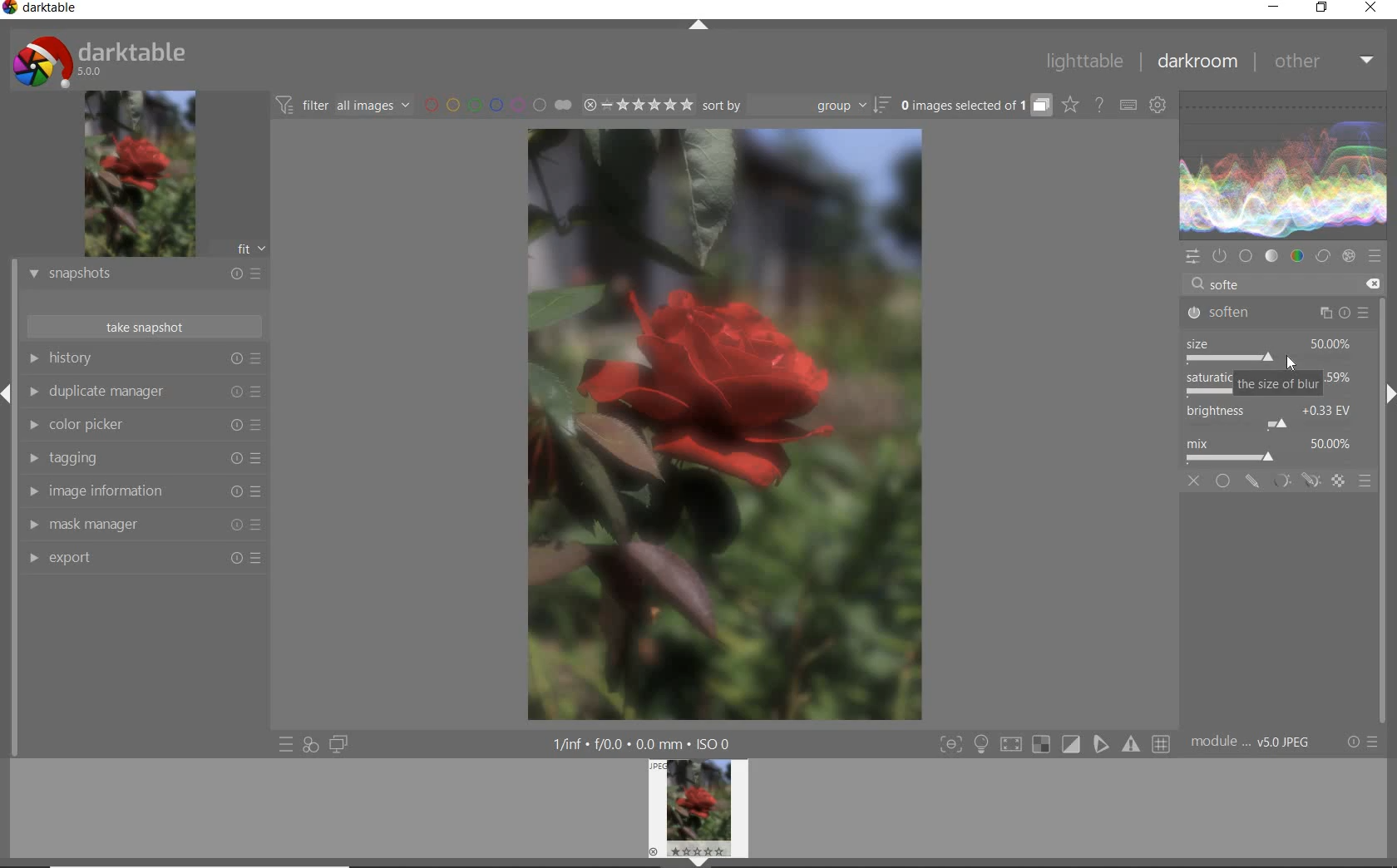  What do you see at coordinates (144, 560) in the screenshot?
I see `export` at bounding box center [144, 560].